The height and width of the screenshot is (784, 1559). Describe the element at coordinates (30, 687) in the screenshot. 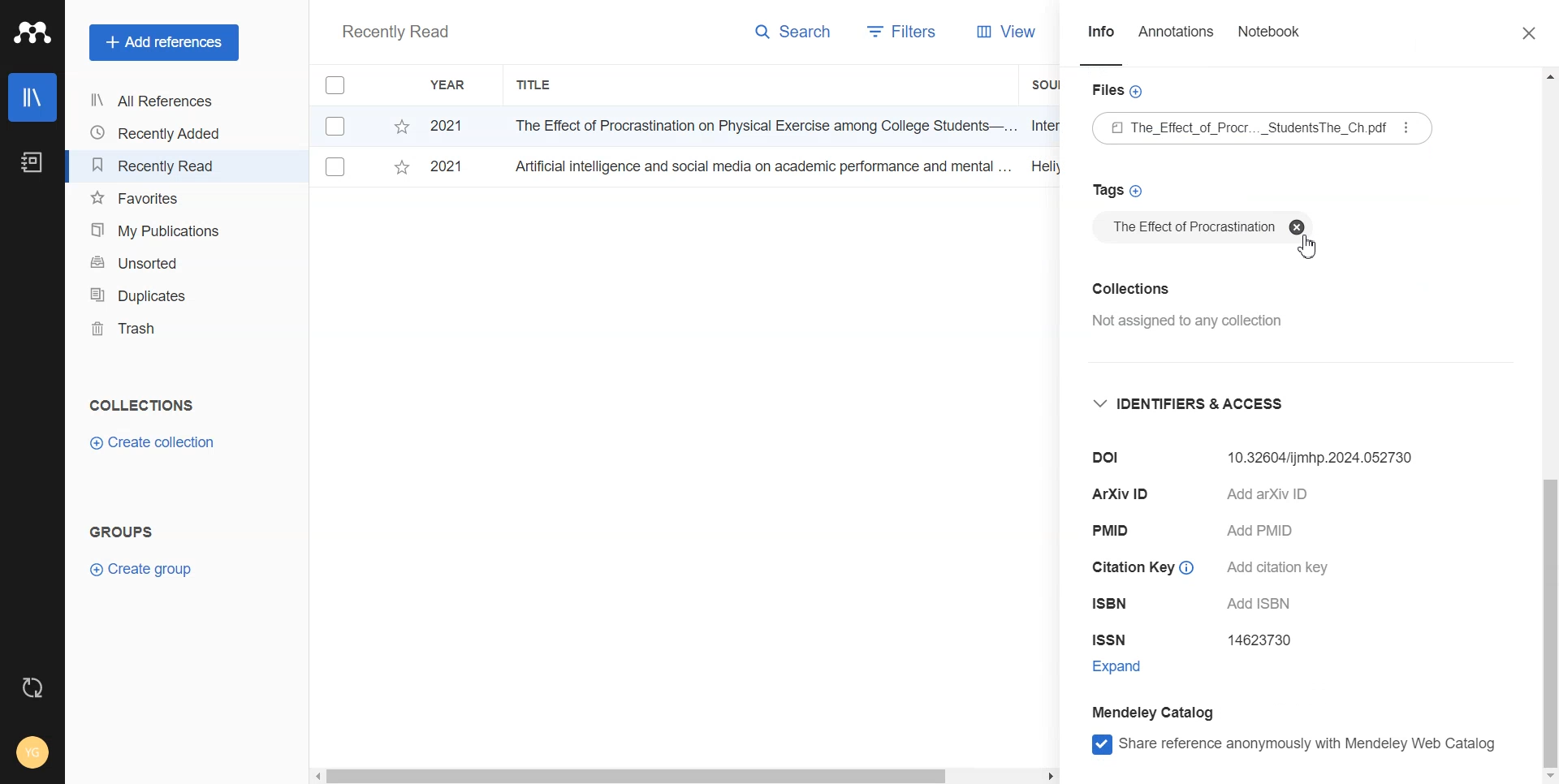

I see `Auto sync` at that location.